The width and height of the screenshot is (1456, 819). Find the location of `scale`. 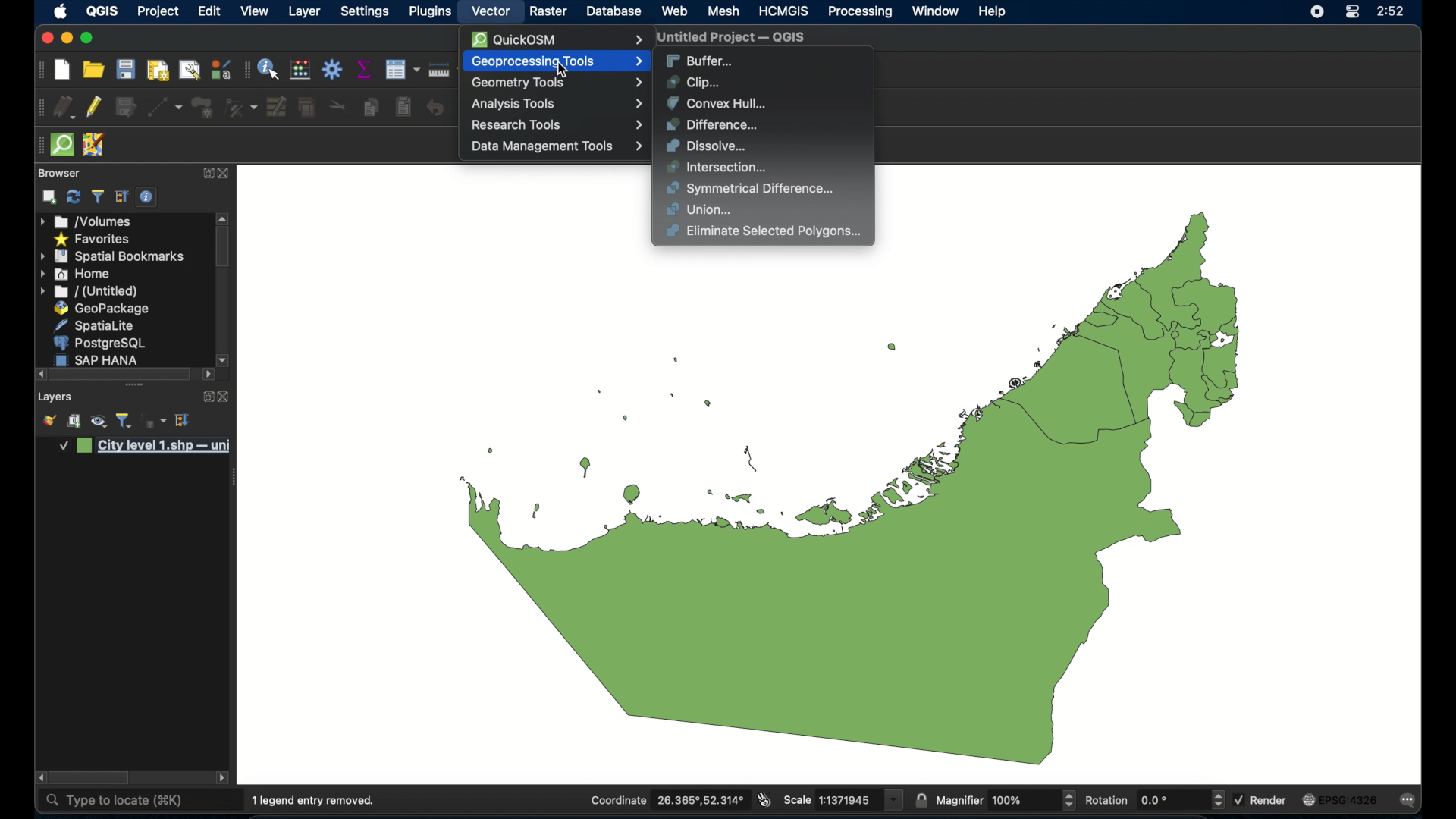

scale is located at coordinates (843, 800).